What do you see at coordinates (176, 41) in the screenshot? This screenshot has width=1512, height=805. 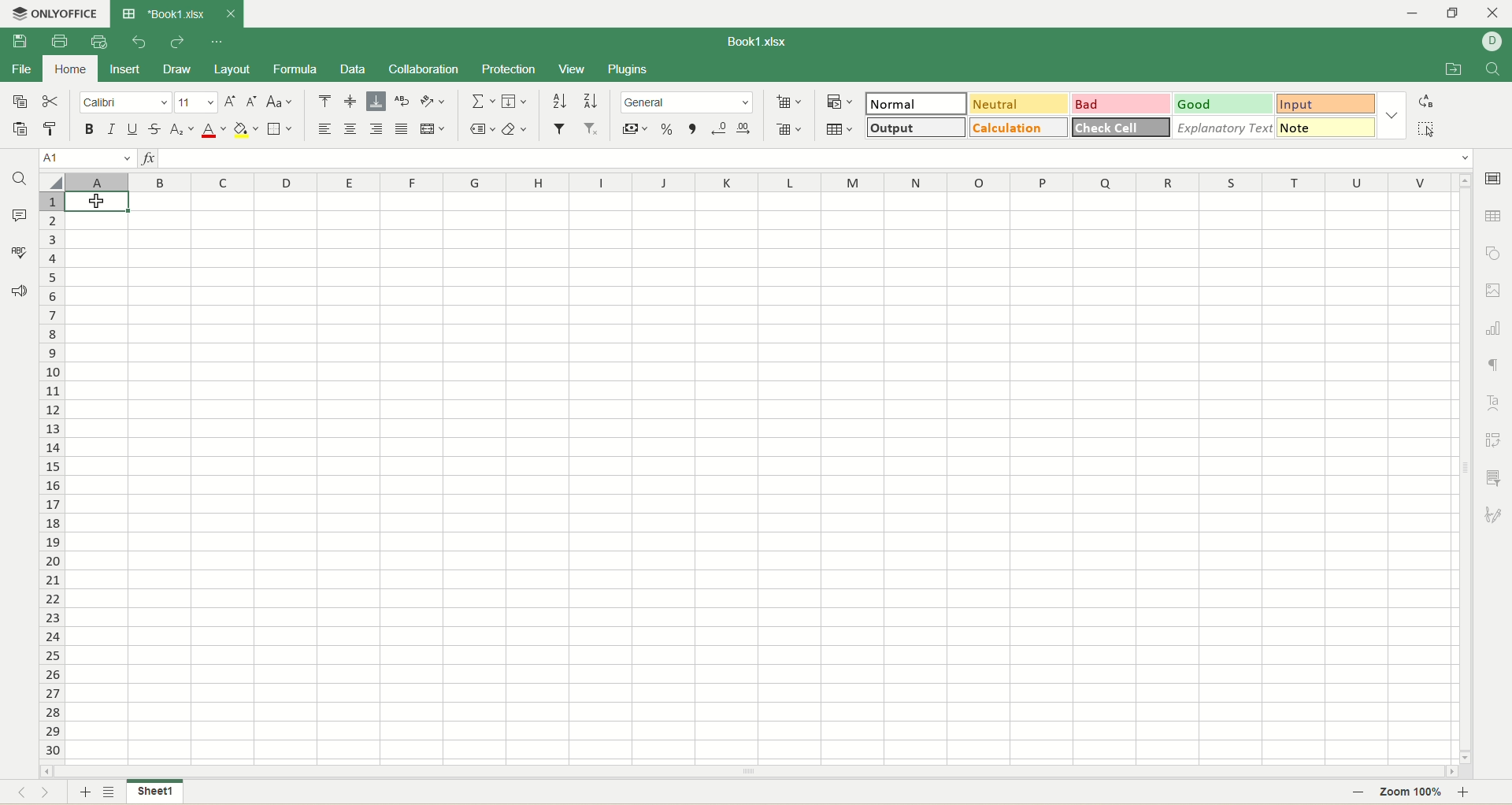 I see `redo` at bounding box center [176, 41].